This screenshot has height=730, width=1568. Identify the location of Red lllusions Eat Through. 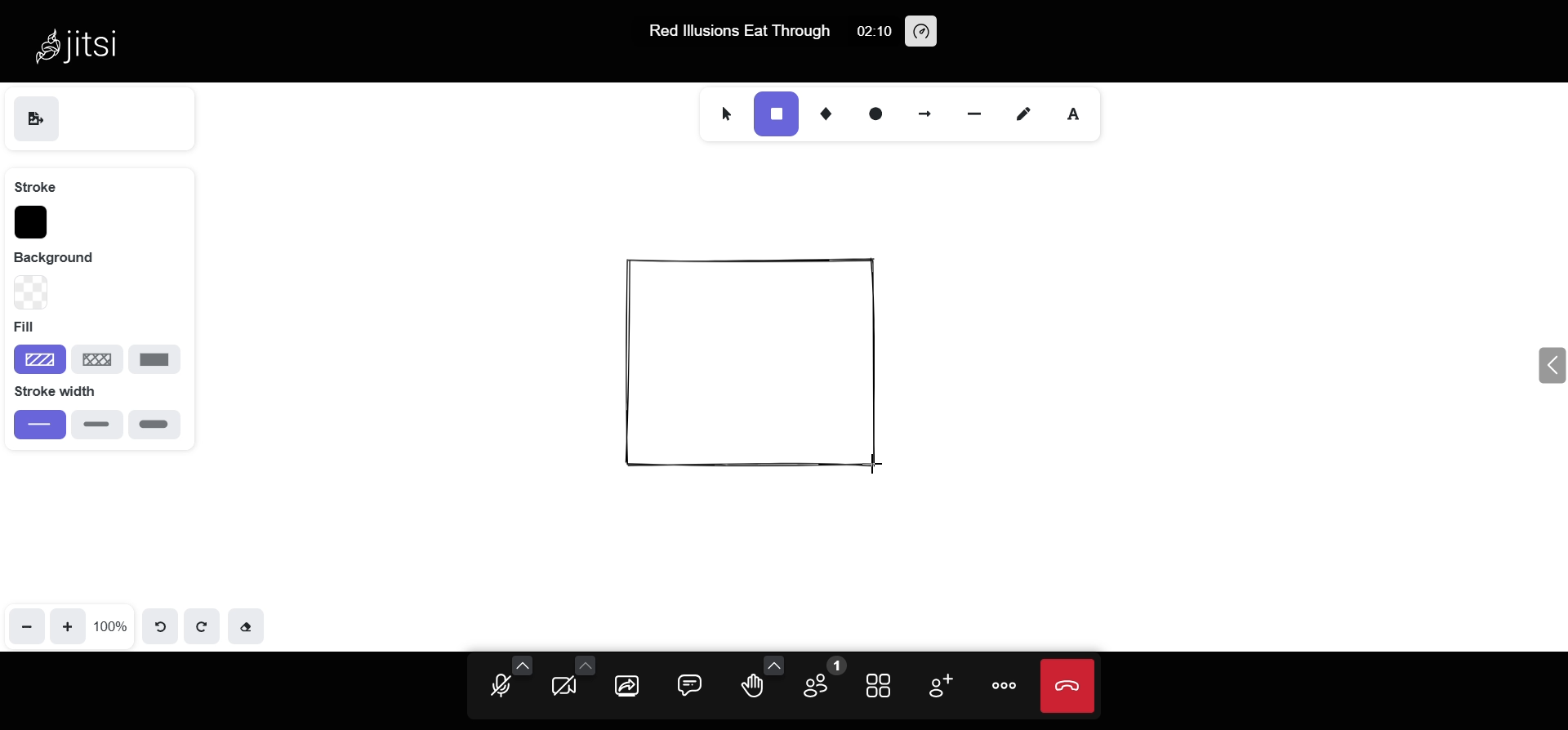
(737, 31).